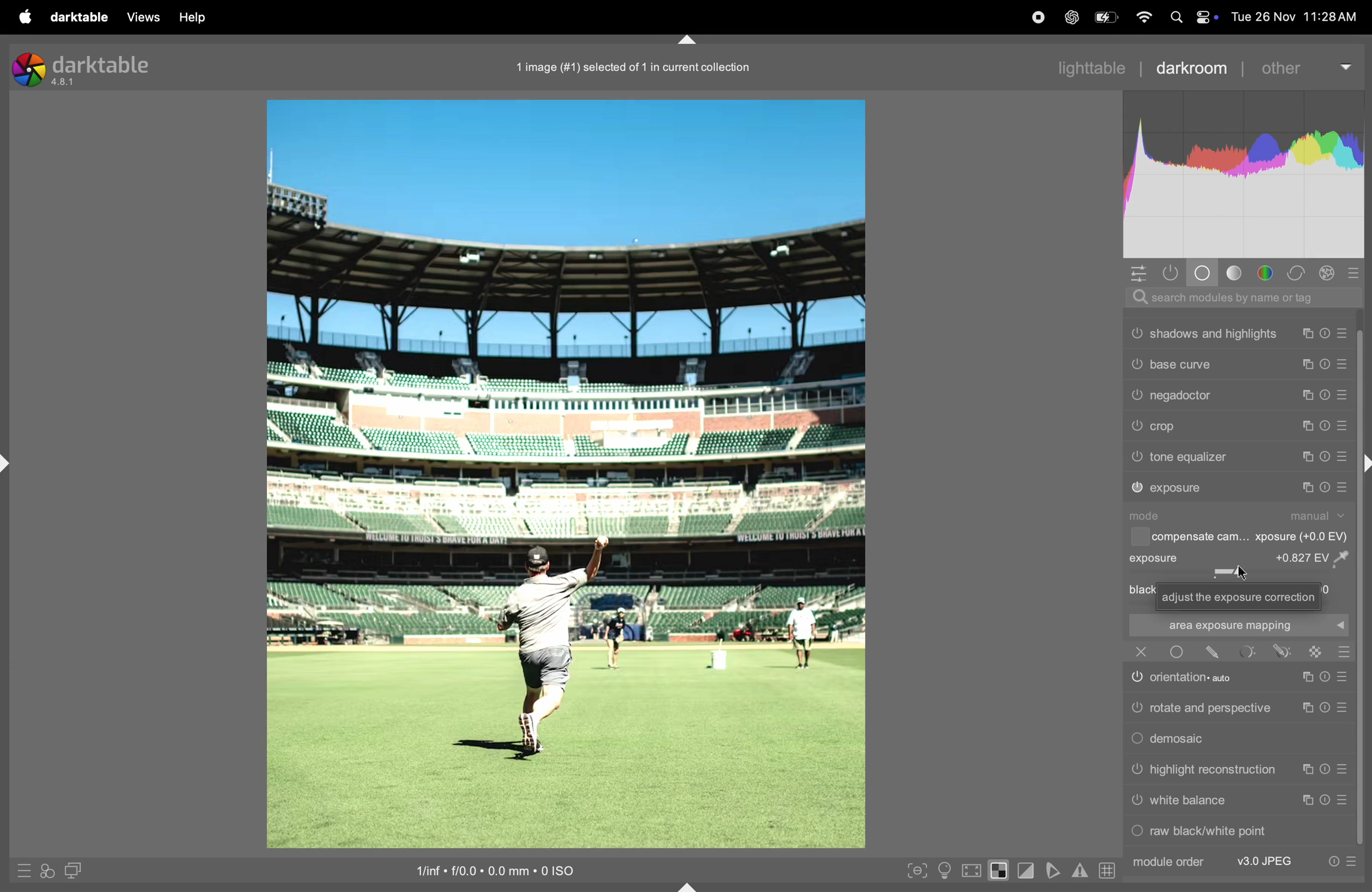 The image size is (1372, 892). I want to click on dark table, so click(77, 16).